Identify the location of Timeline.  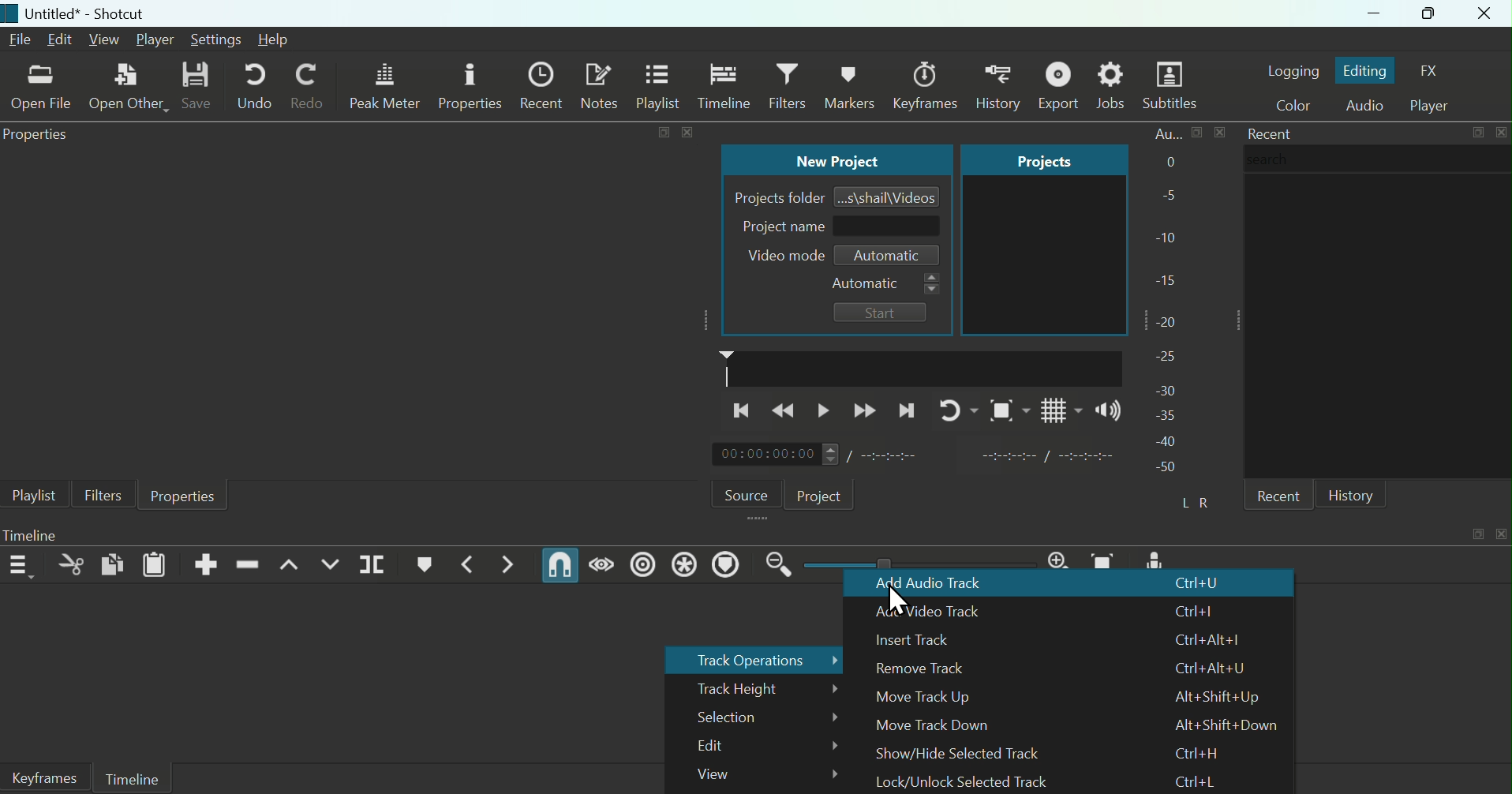
(724, 85).